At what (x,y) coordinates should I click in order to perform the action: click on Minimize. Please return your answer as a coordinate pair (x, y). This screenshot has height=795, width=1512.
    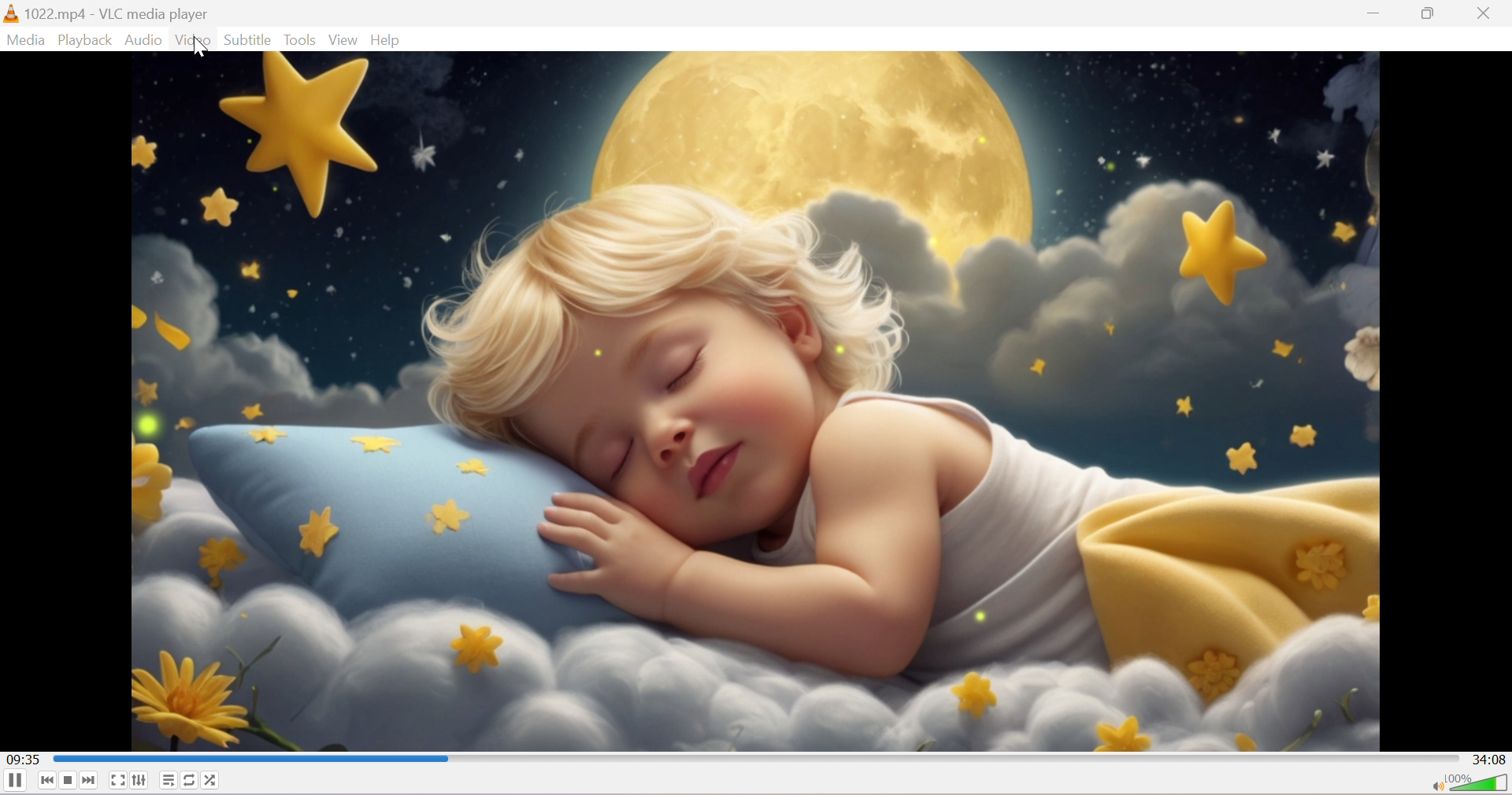
    Looking at the image, I should click on (1375, 18).